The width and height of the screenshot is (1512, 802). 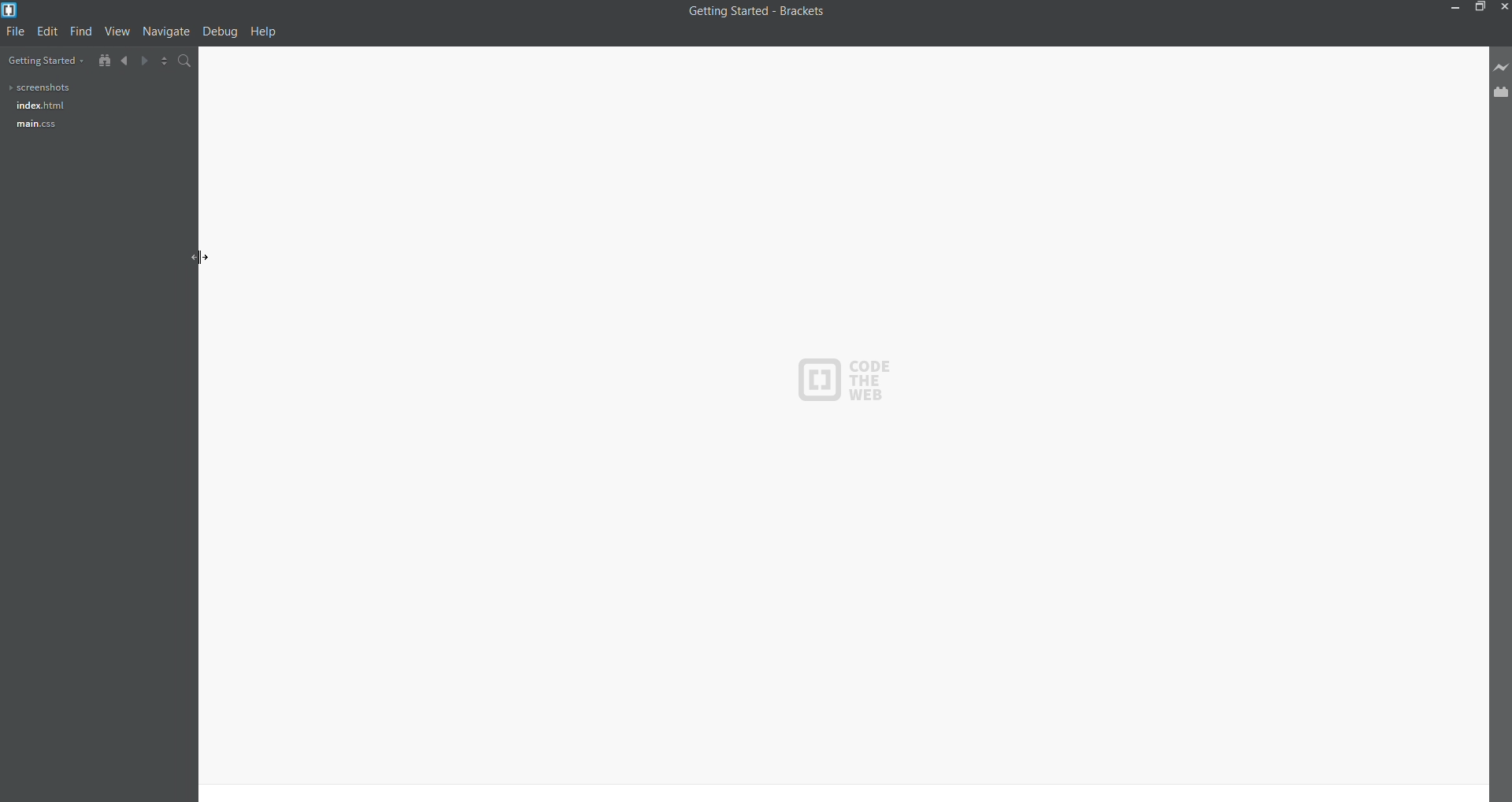 I want to click on extension manager, so click(x=1501, y=92).